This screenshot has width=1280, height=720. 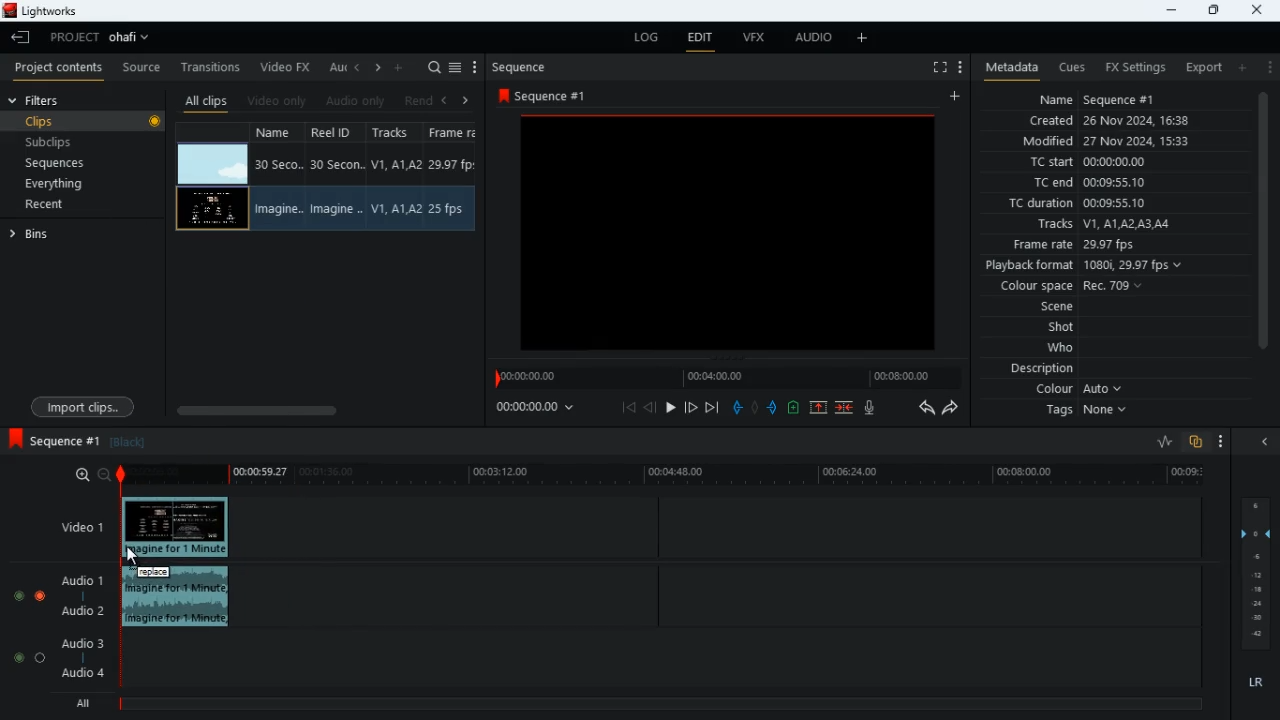 What do you see at coordinates (318, 408) in the screenshot?
I see `scroll` at bounding box center [318, 408].